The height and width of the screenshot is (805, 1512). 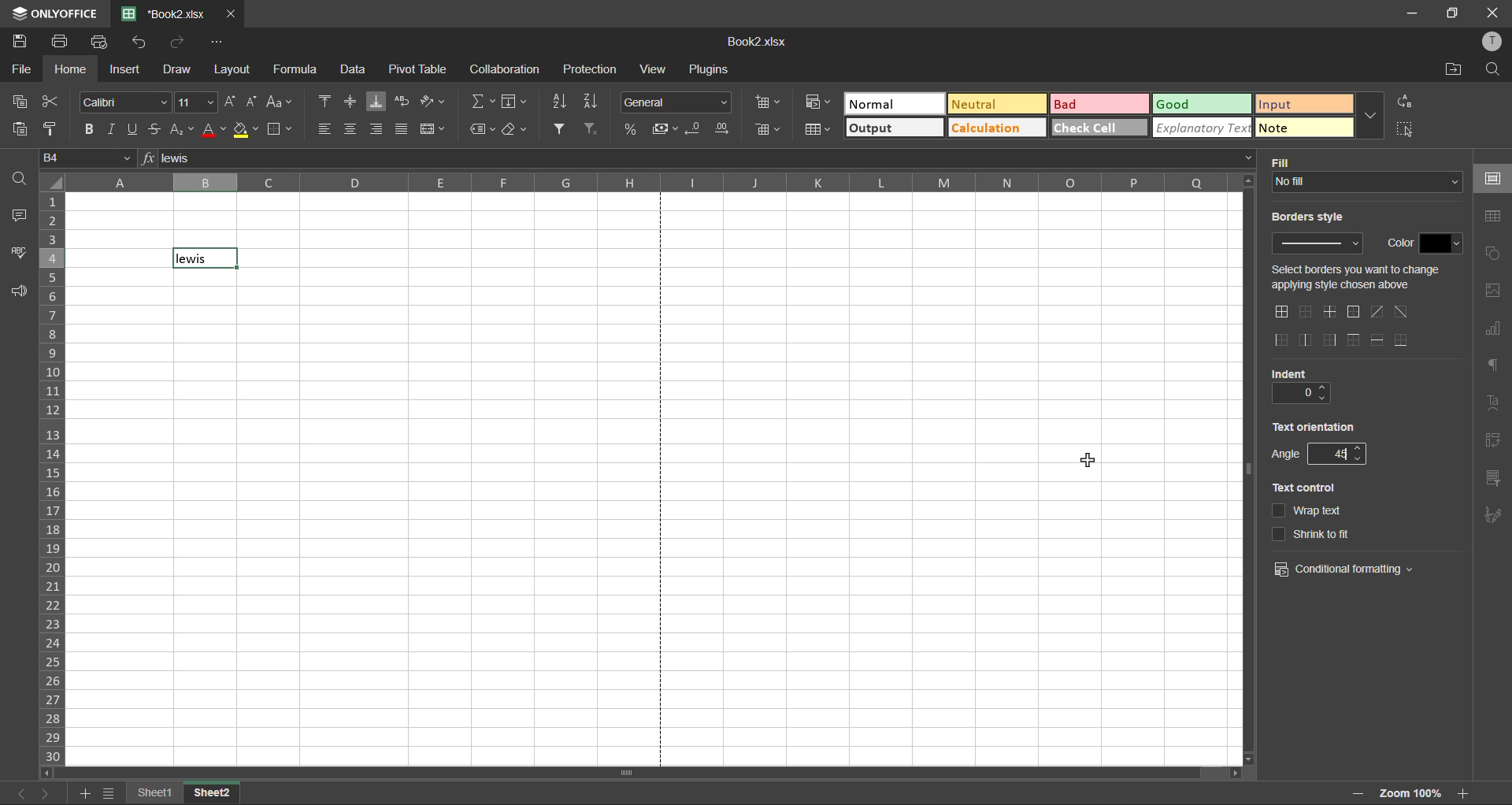 What do you see at coordinates (1492, 41) in the screenshot?
I see `profile` at bounding box center [1492, 41].